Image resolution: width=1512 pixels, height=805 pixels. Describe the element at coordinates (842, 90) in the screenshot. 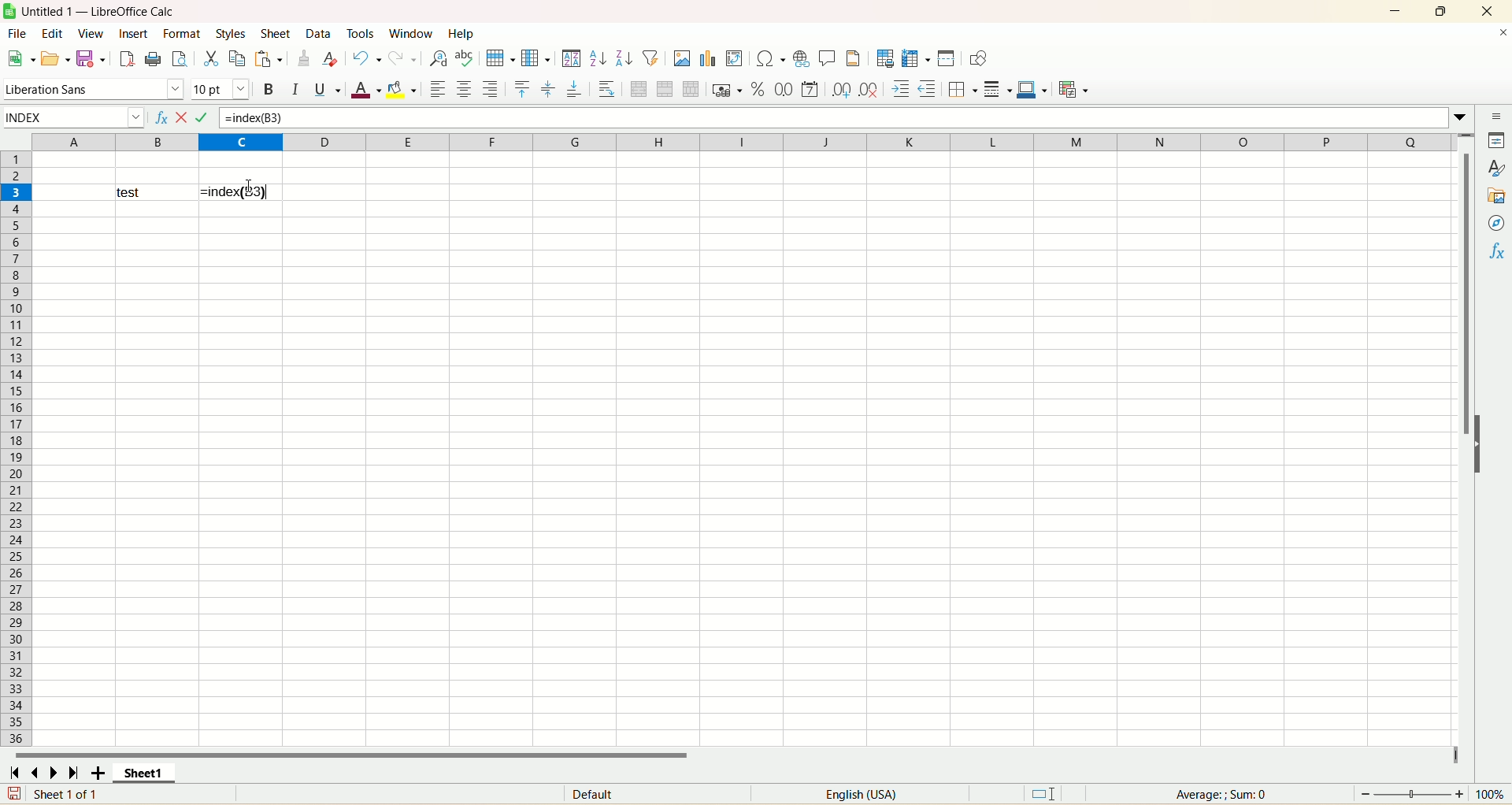

I see `add decimal` at that location.